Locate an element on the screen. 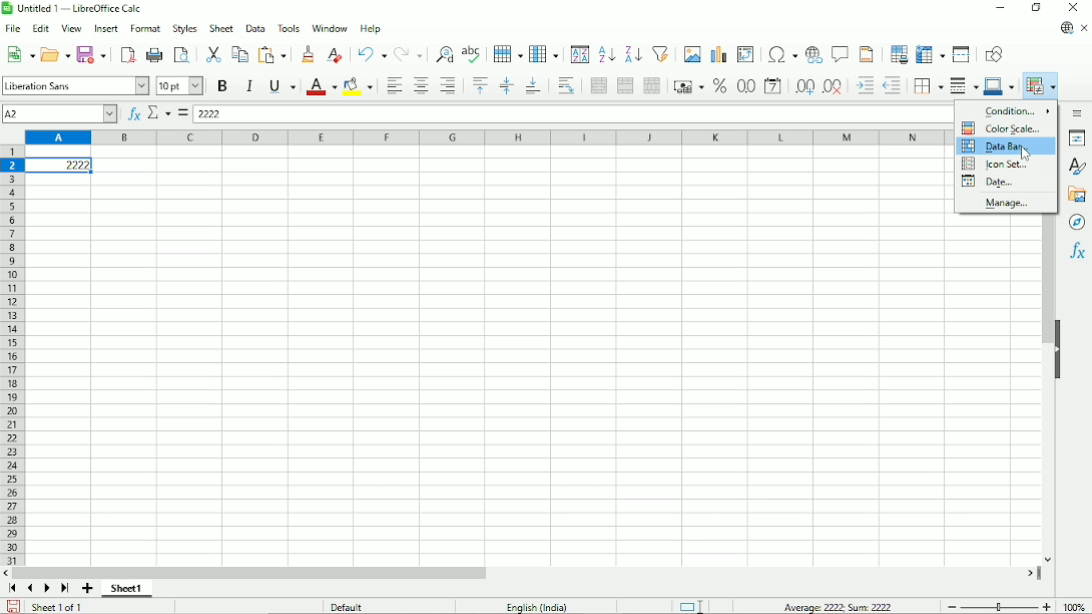 This screenshot has width=1092, height=614. Align center is located at coordinates (421, 85).